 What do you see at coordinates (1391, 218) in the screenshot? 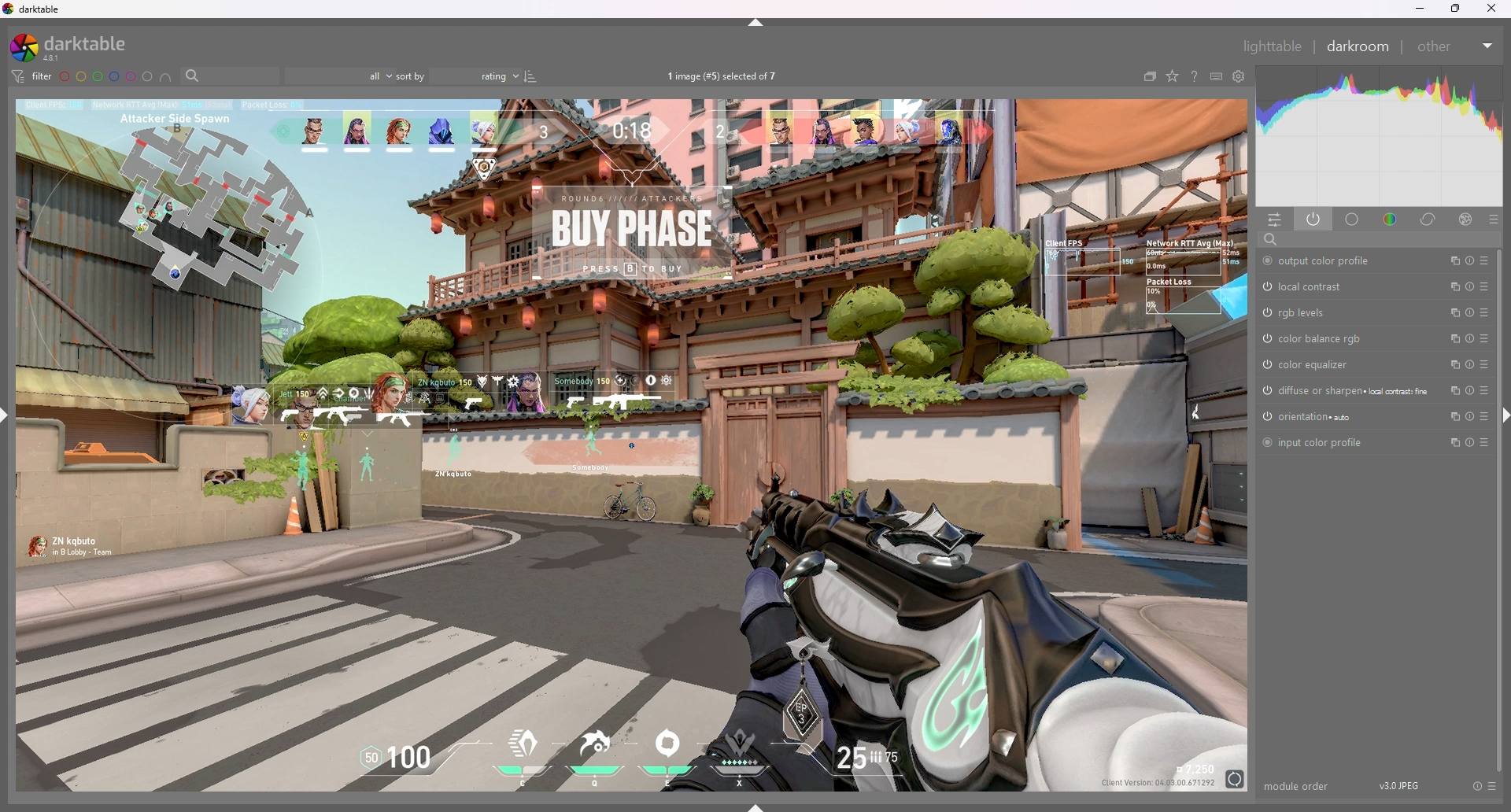
I see `color` at bounding box center [1391, 218].